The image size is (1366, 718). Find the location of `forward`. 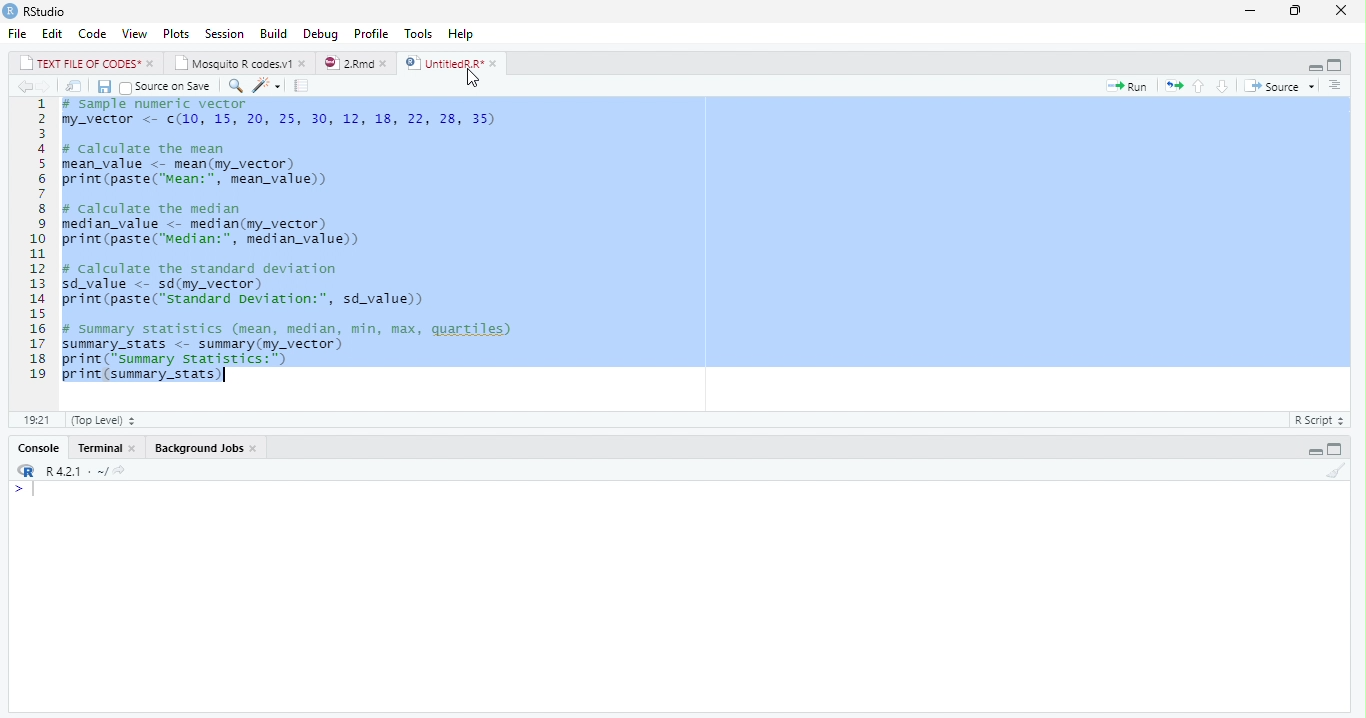

forward is located at coordinates (46, 86).